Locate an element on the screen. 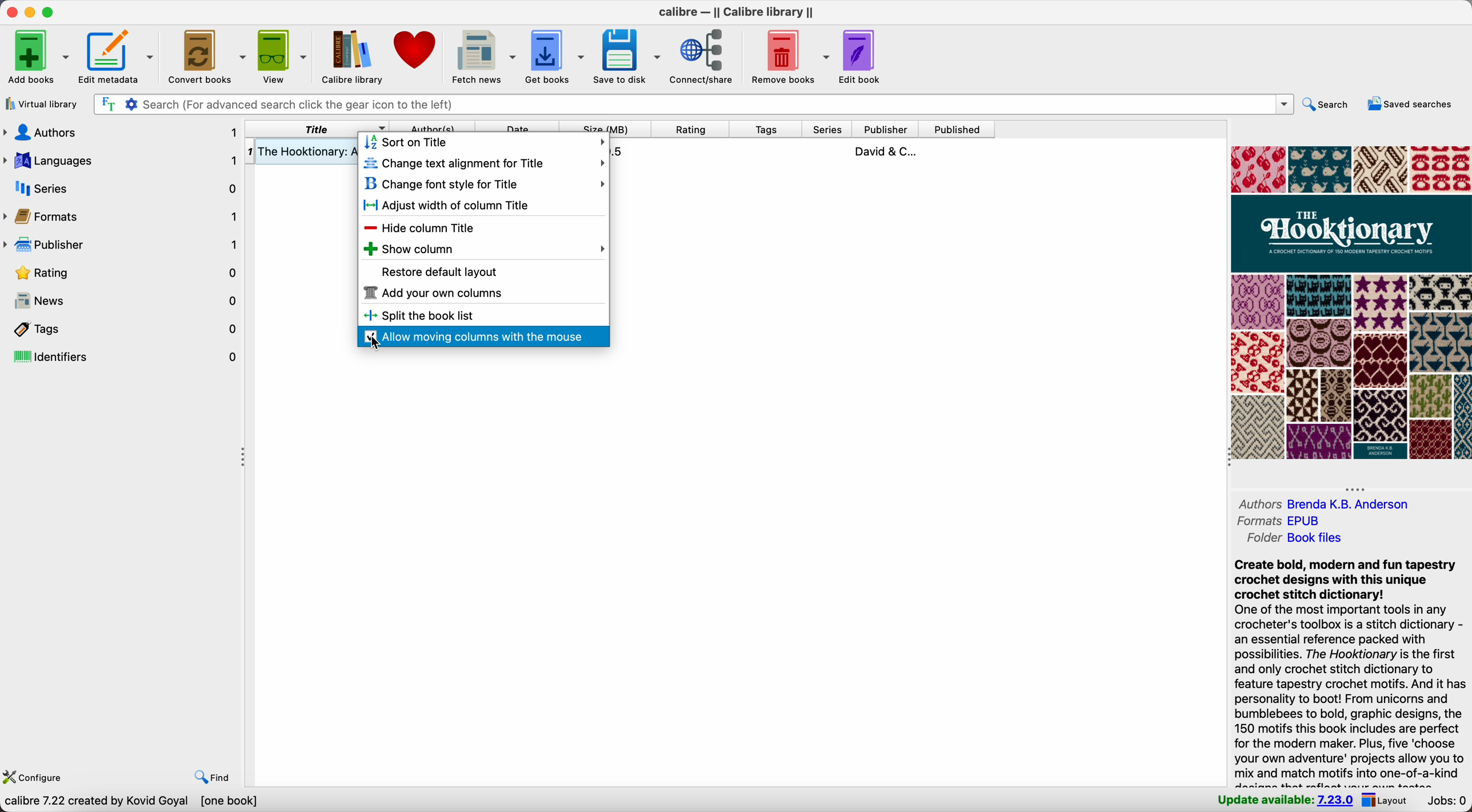 Image resolution: width=1472 pixels, height=812 pixels. saved searches is located at coordinates (1413, 105).